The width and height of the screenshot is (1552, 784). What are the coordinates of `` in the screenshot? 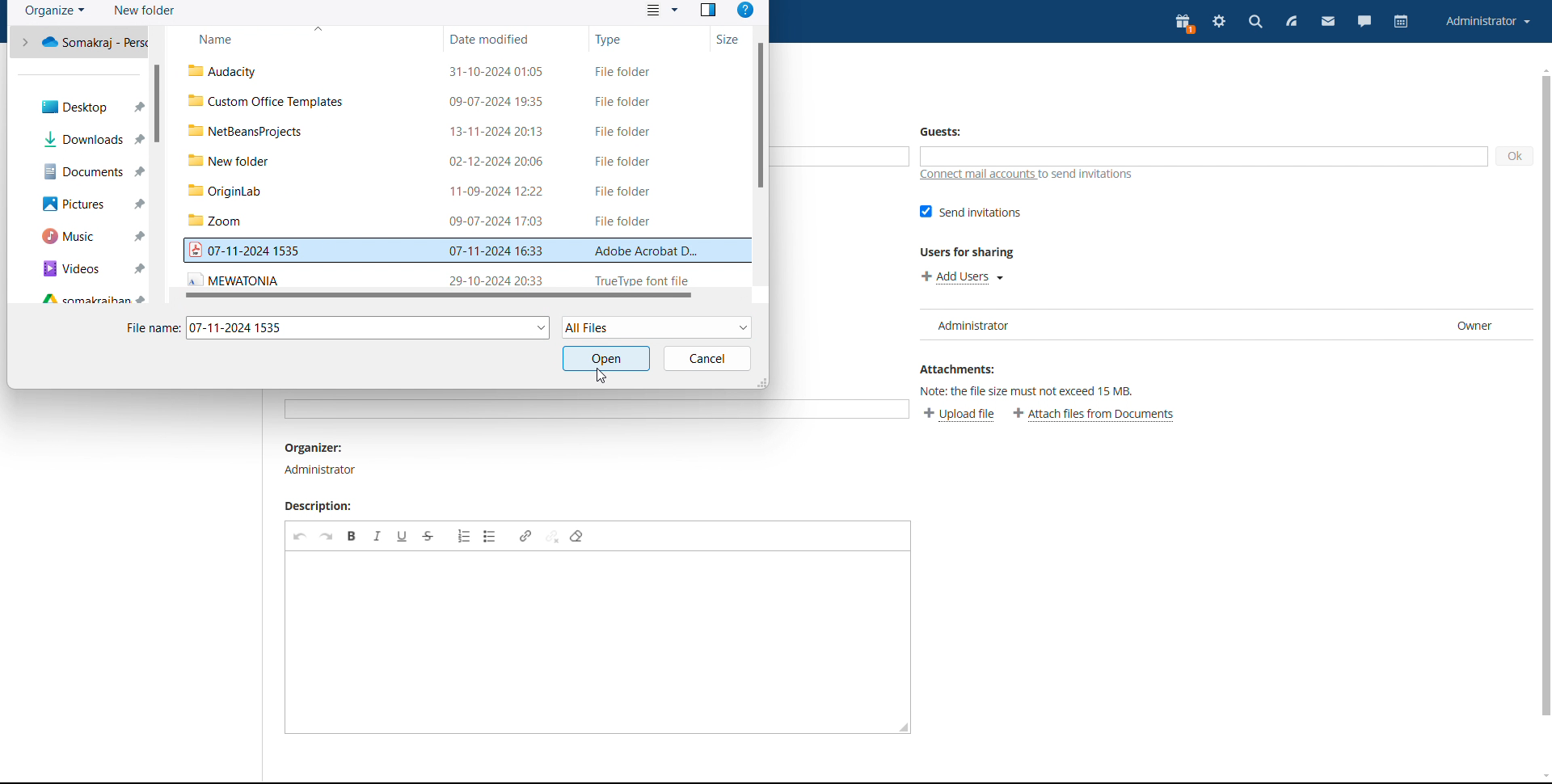 It's located at (82, 137).